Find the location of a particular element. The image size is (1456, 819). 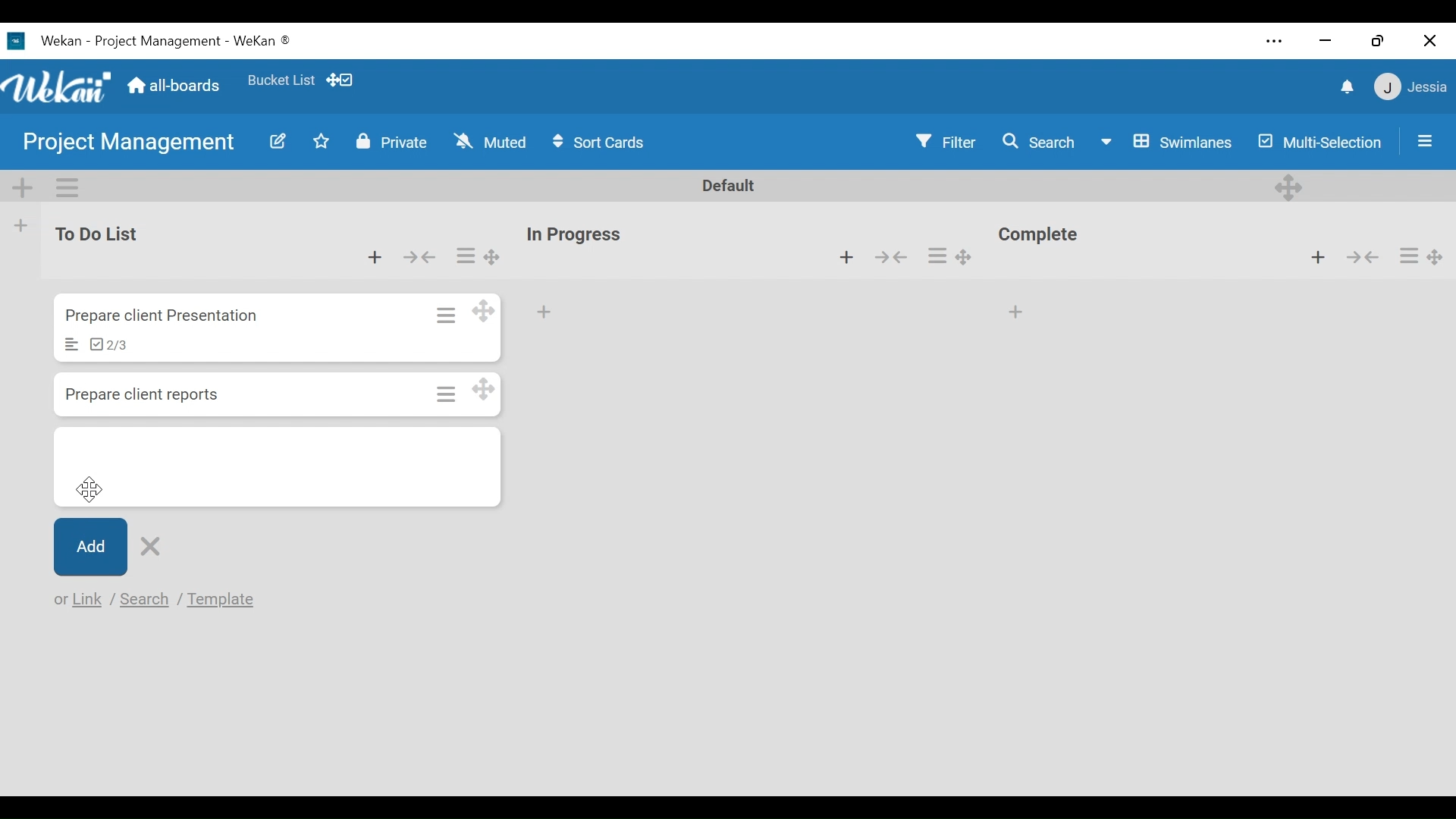

Close is located at coordinates (1429, 37).